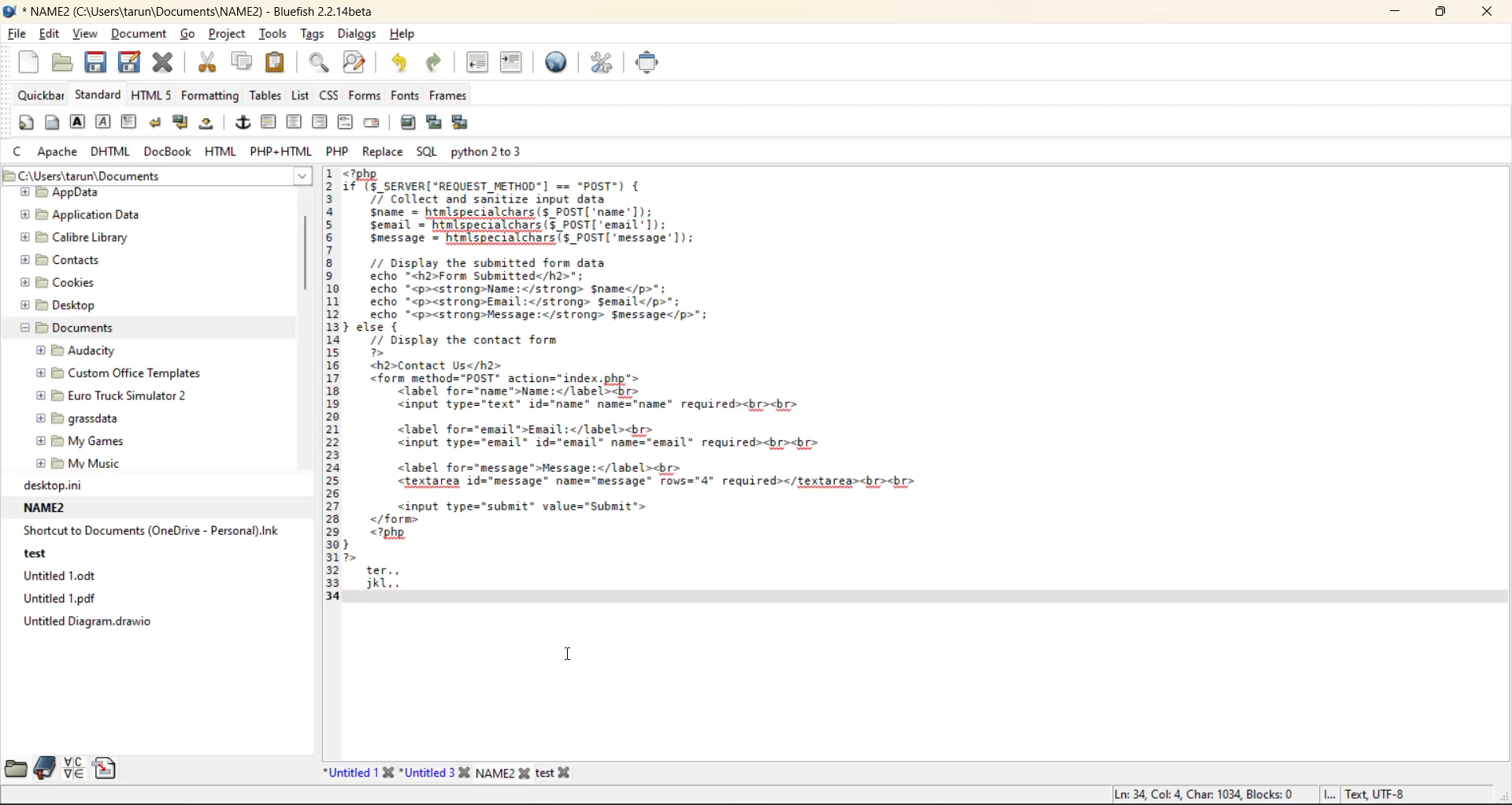 The width and height of the screenshot is (1512, 805). I want to click on charmap, so click(74, 768).